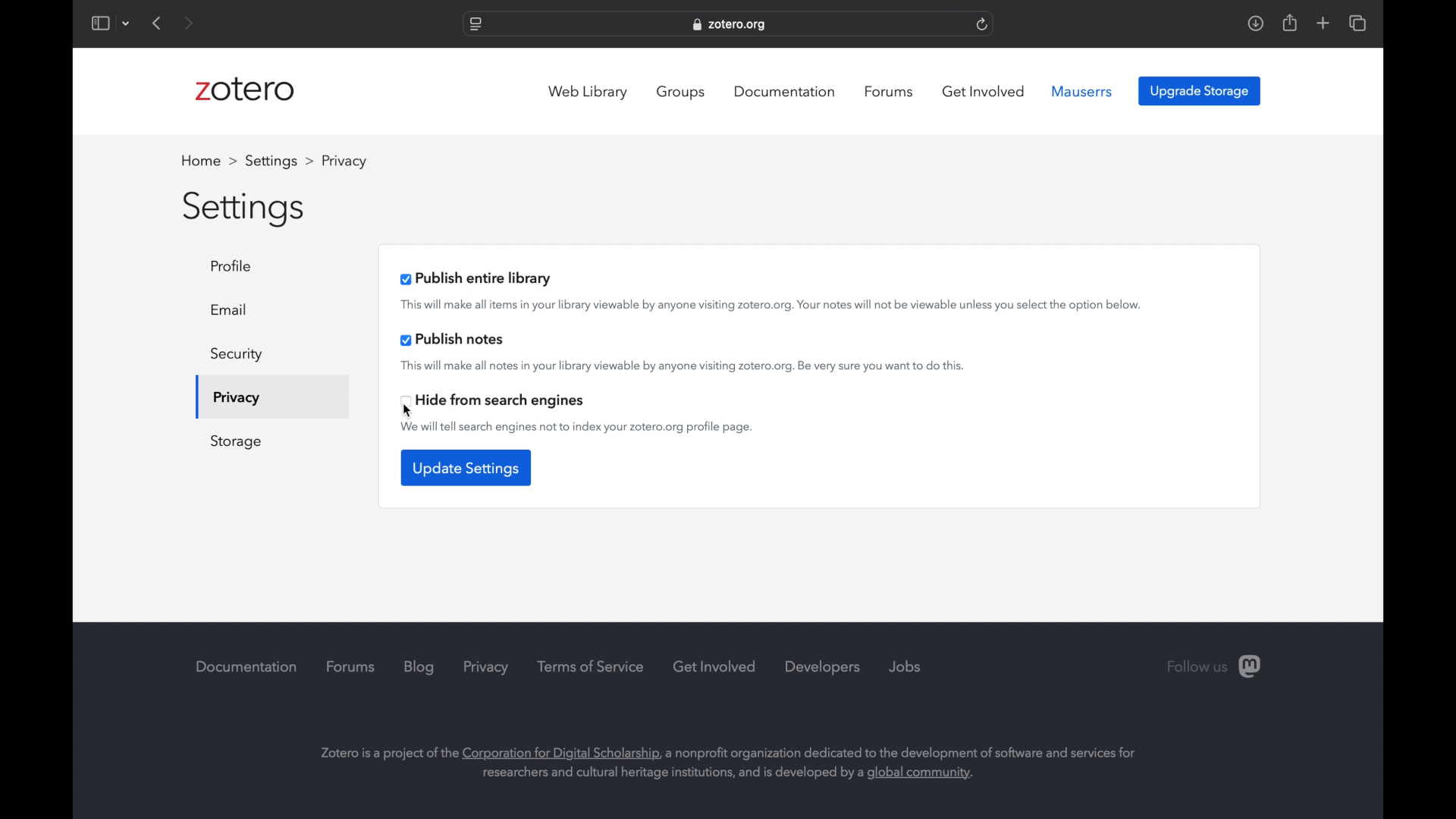  What do you see at coordinates (984, 91) in the screenshot?
I see `get involved` at bounding box center [984, 91].